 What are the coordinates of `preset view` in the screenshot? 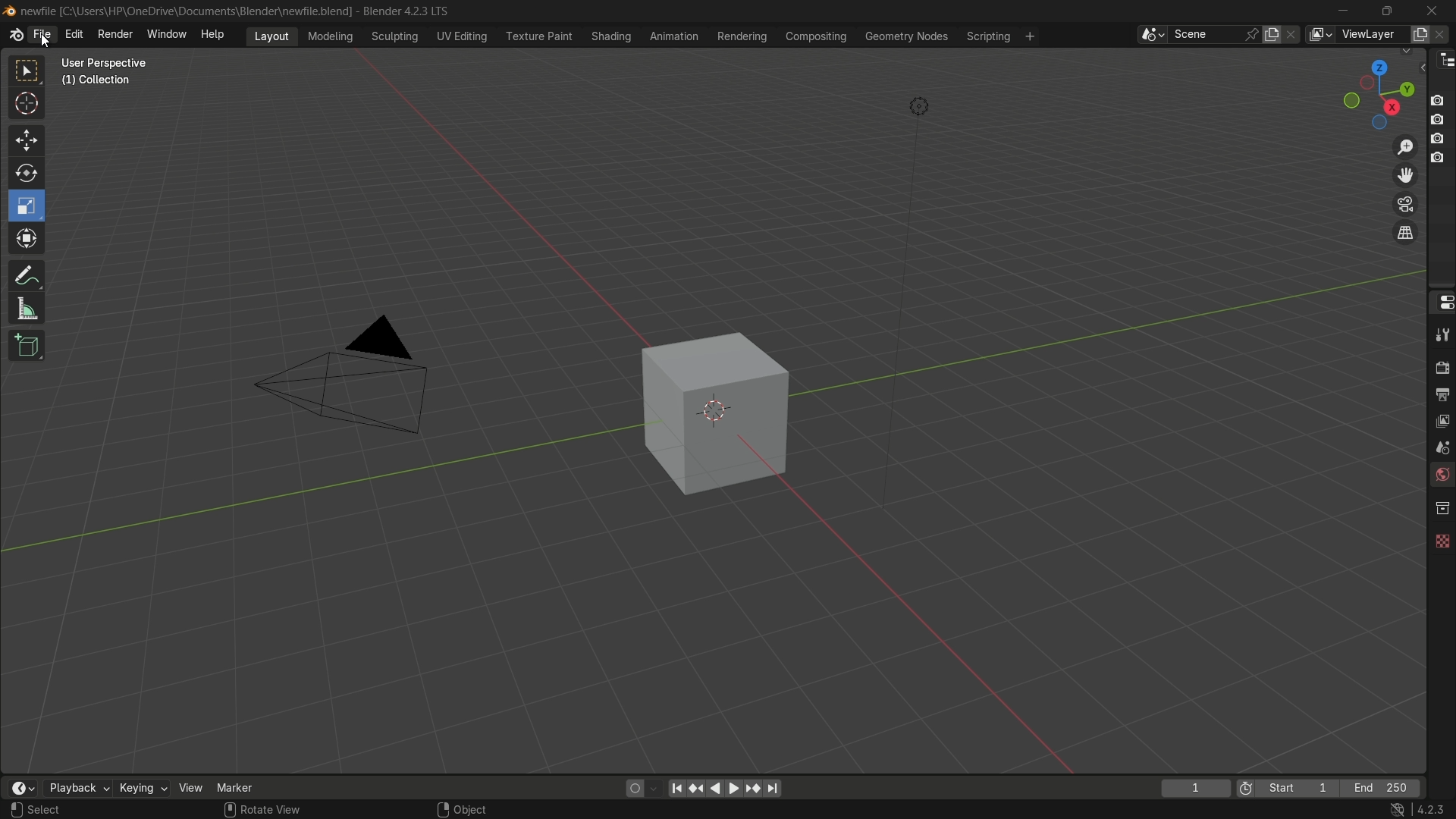 It's located at (1374, 91).